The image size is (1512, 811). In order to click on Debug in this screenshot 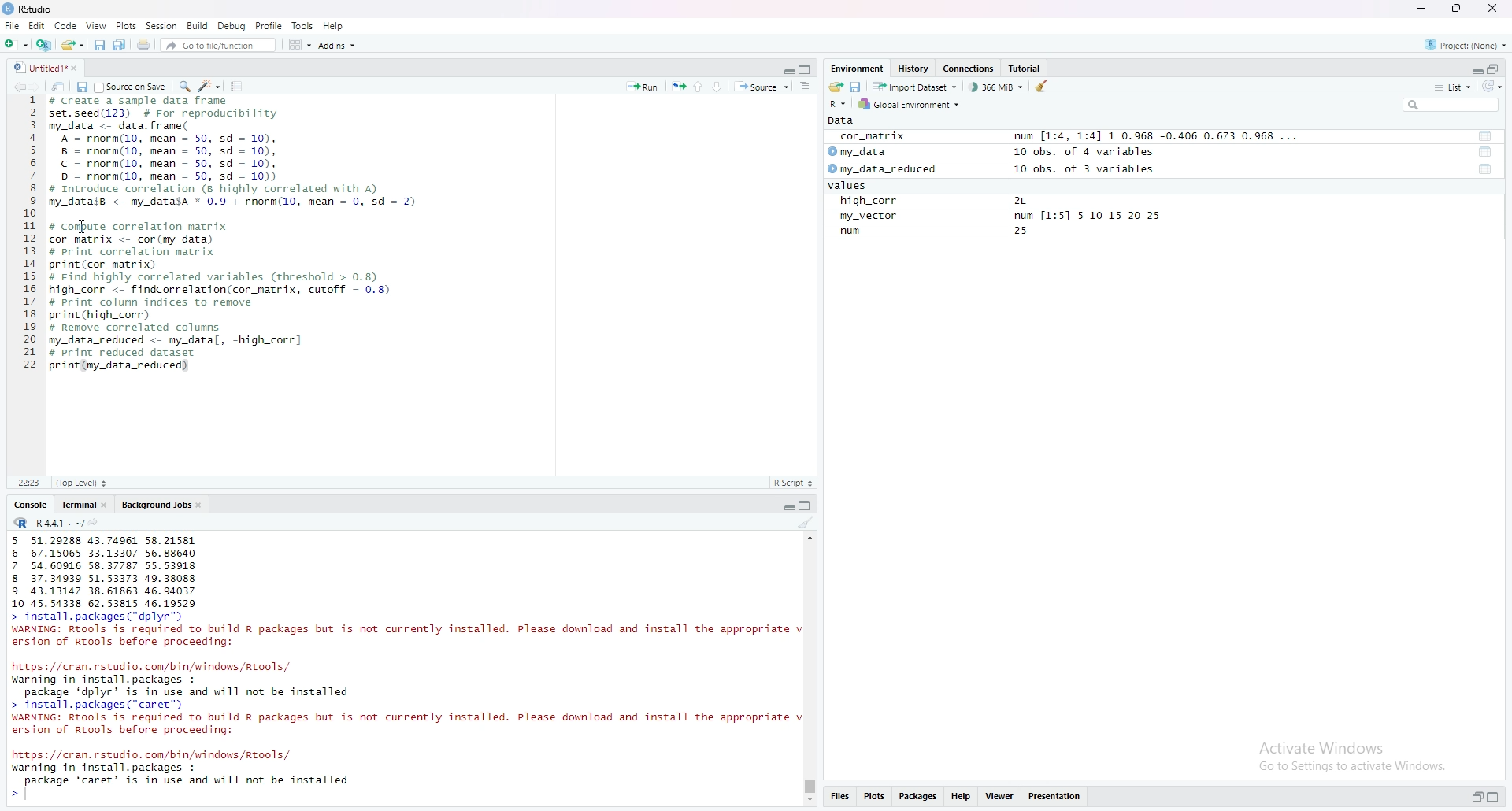, I will do `click(233, 26)`.